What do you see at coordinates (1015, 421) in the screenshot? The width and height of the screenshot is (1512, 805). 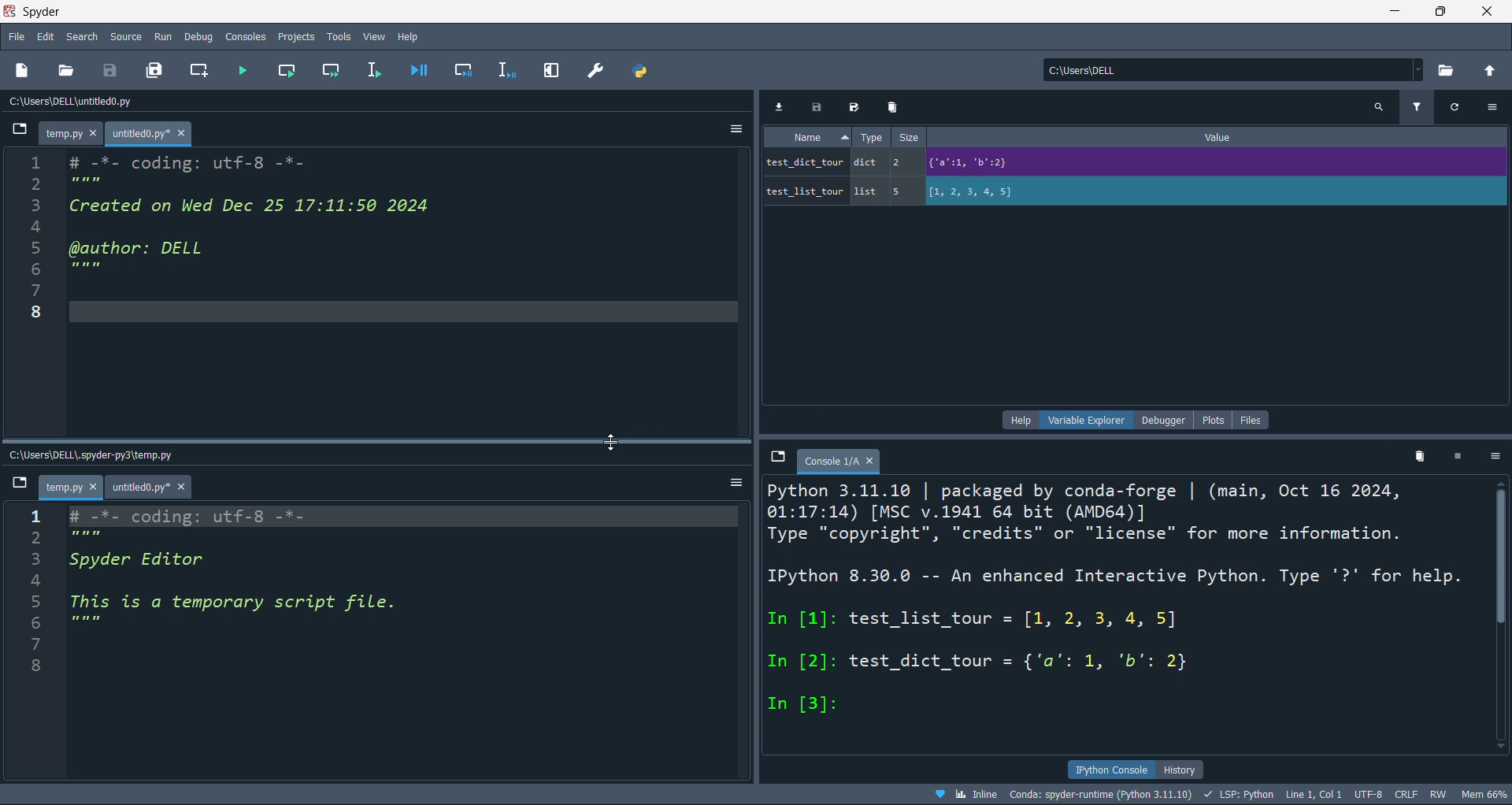 I see `help` at bounding box center [1015, 421].